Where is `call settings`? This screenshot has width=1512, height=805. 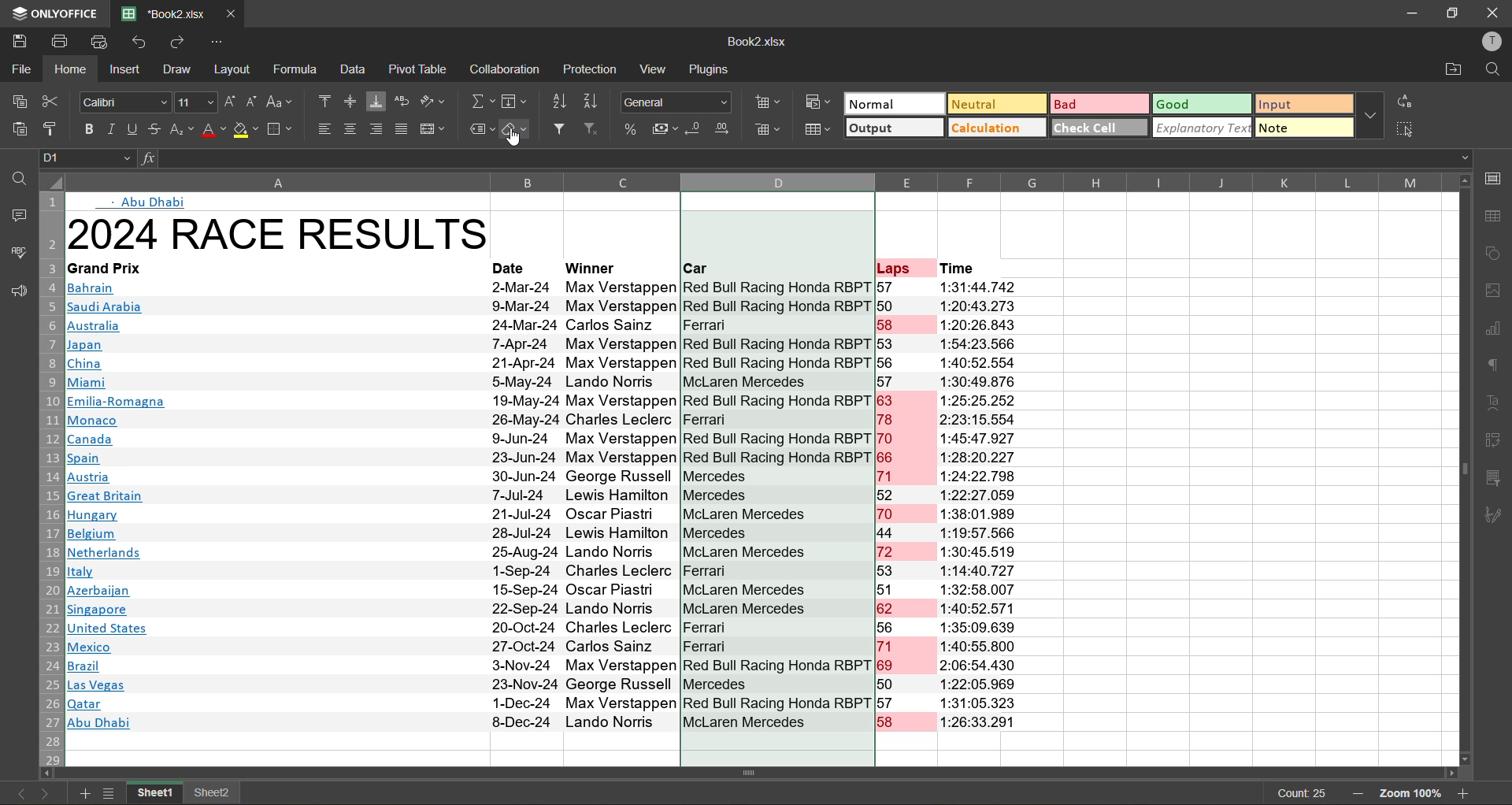
call settings is located at coordinates (1497, 175).